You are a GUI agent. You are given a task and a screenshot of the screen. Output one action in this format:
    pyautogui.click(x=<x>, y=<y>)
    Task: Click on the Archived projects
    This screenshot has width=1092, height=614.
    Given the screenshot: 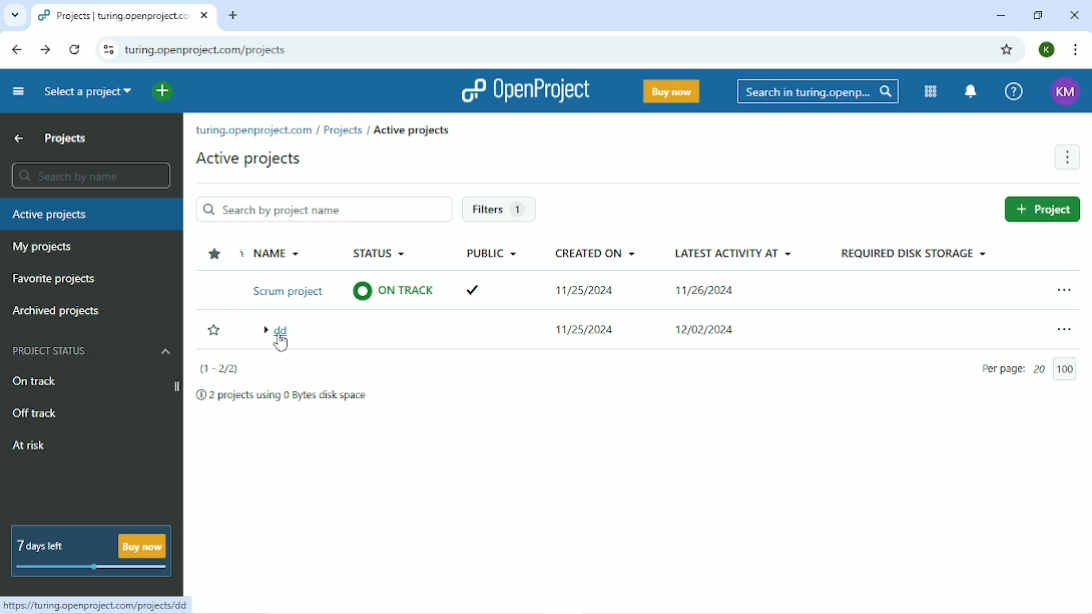 What is the action you would take?
    pyautogui.click(x=57, y=311)
    